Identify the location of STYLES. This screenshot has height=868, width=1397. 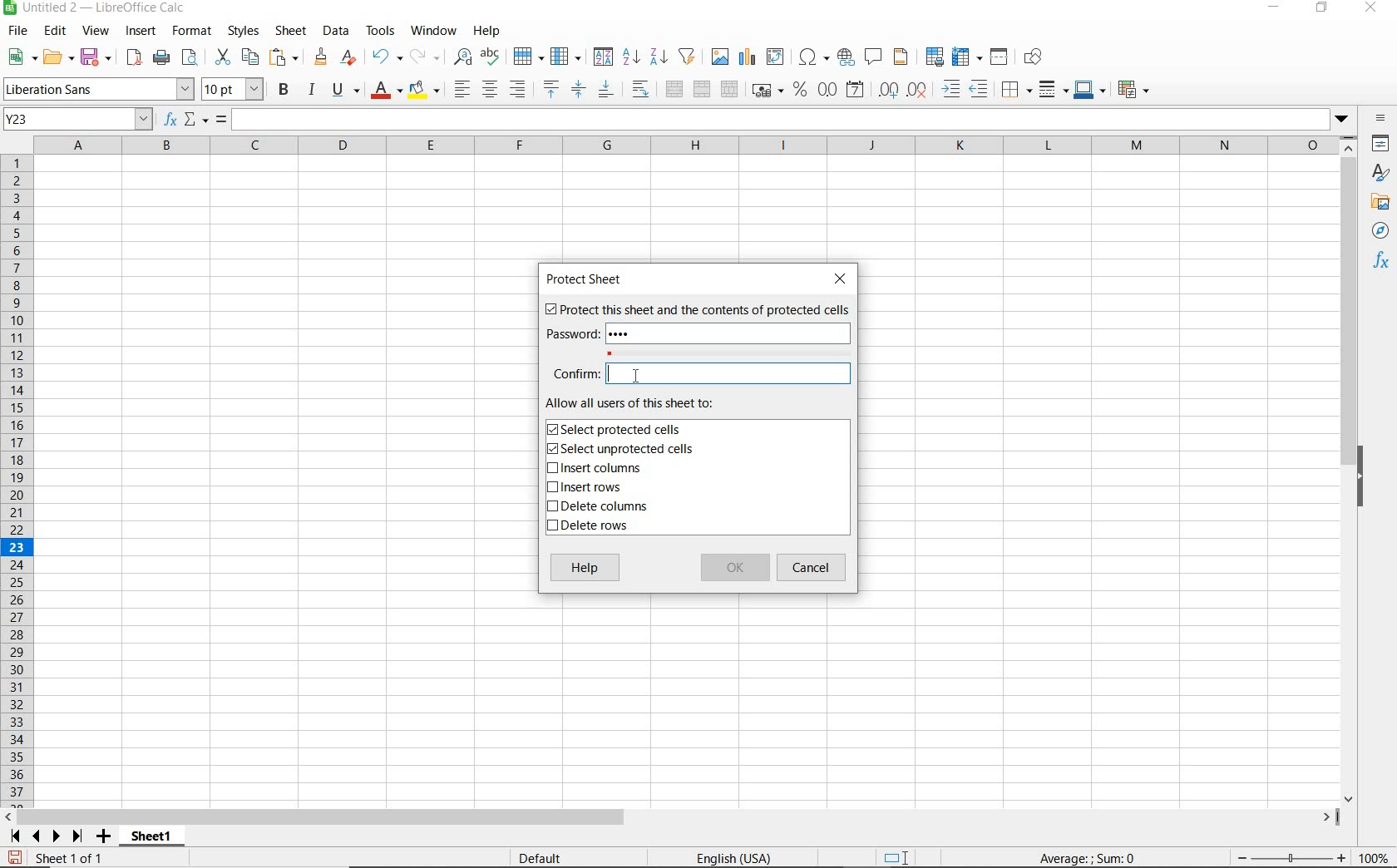
(1380, 173).